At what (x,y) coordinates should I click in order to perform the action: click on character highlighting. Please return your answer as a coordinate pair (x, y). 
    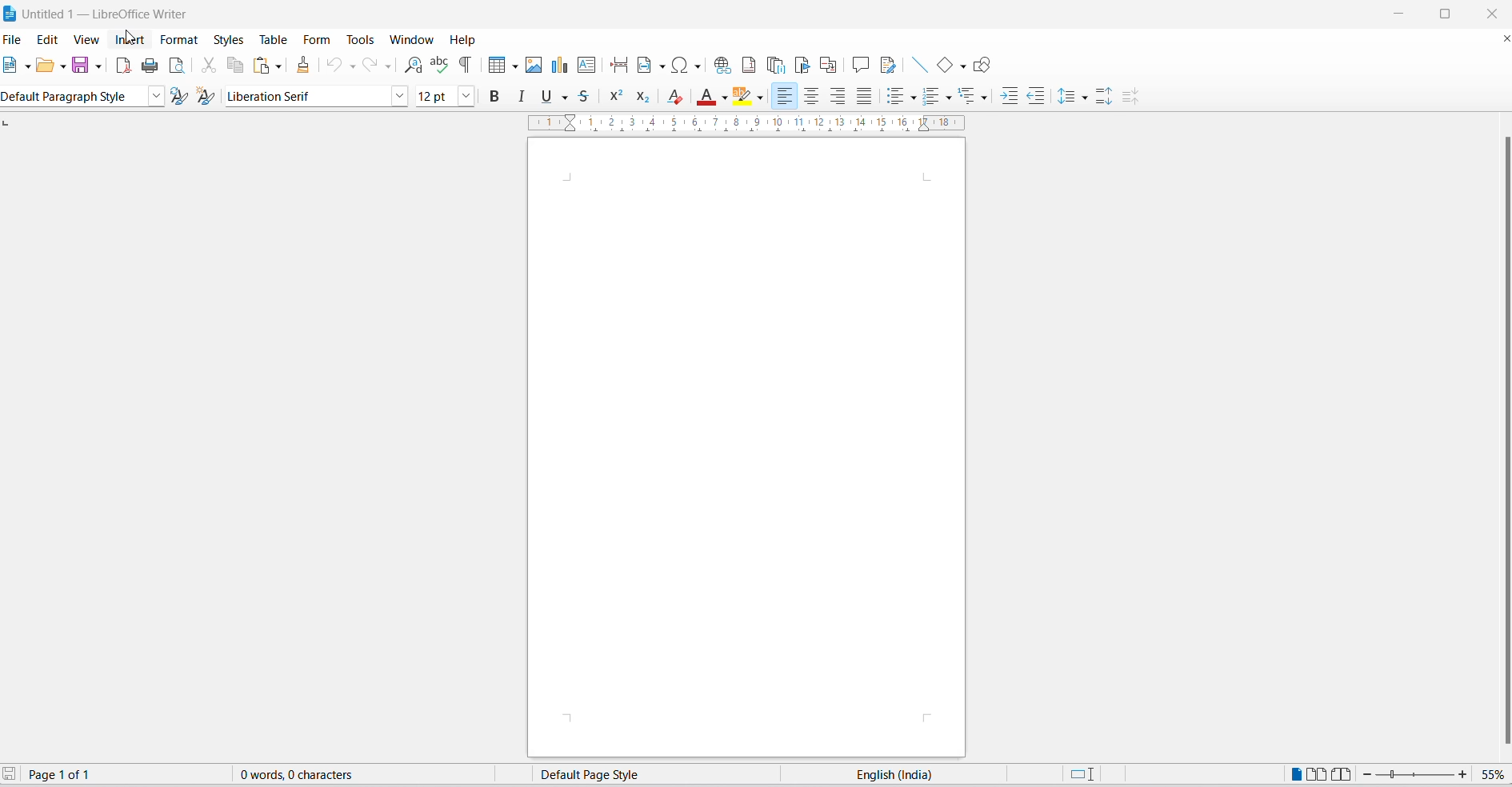
    Looking at the image, I should click on (744, 98).